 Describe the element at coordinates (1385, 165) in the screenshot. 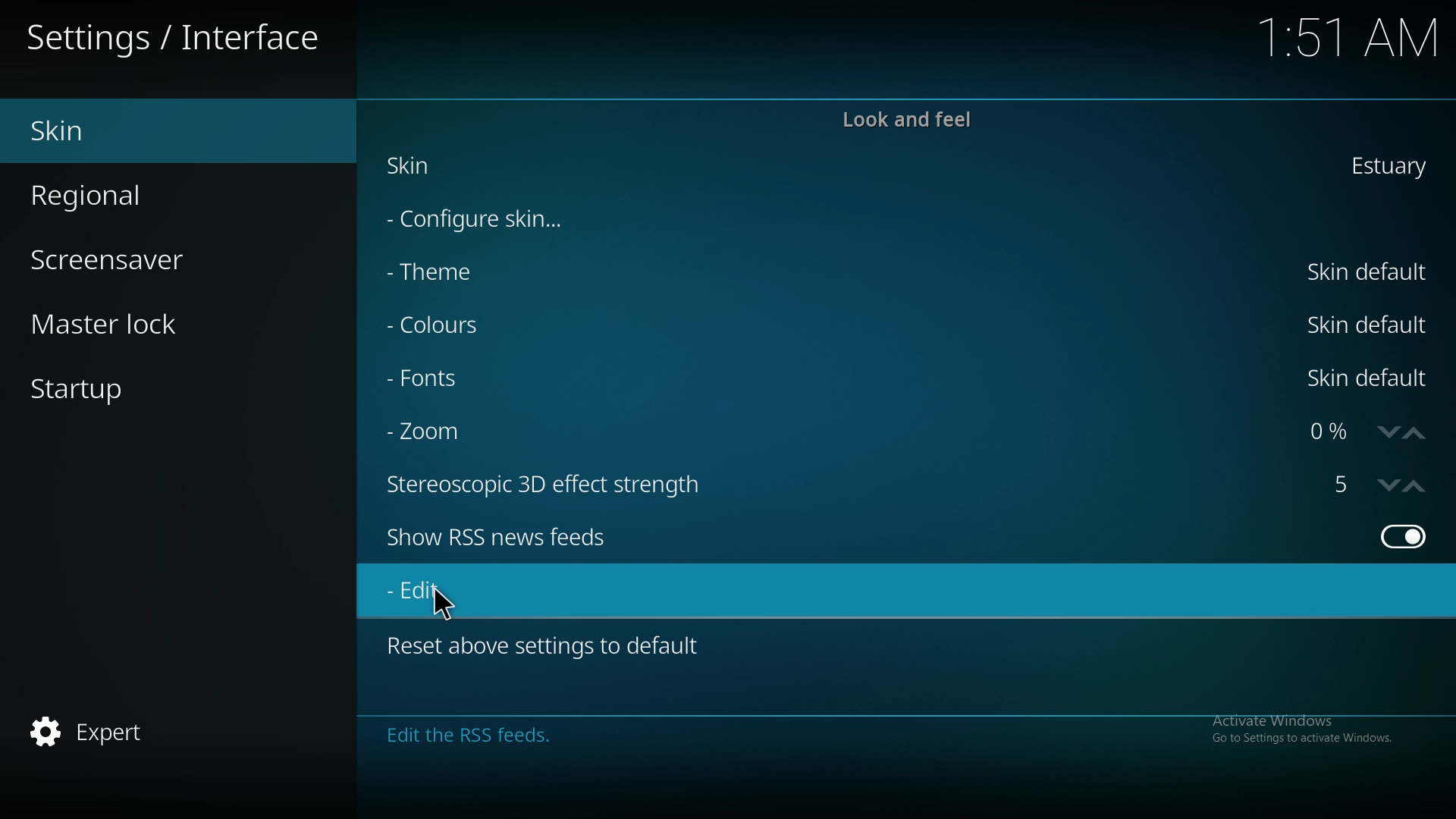

I see `skin` at that location.